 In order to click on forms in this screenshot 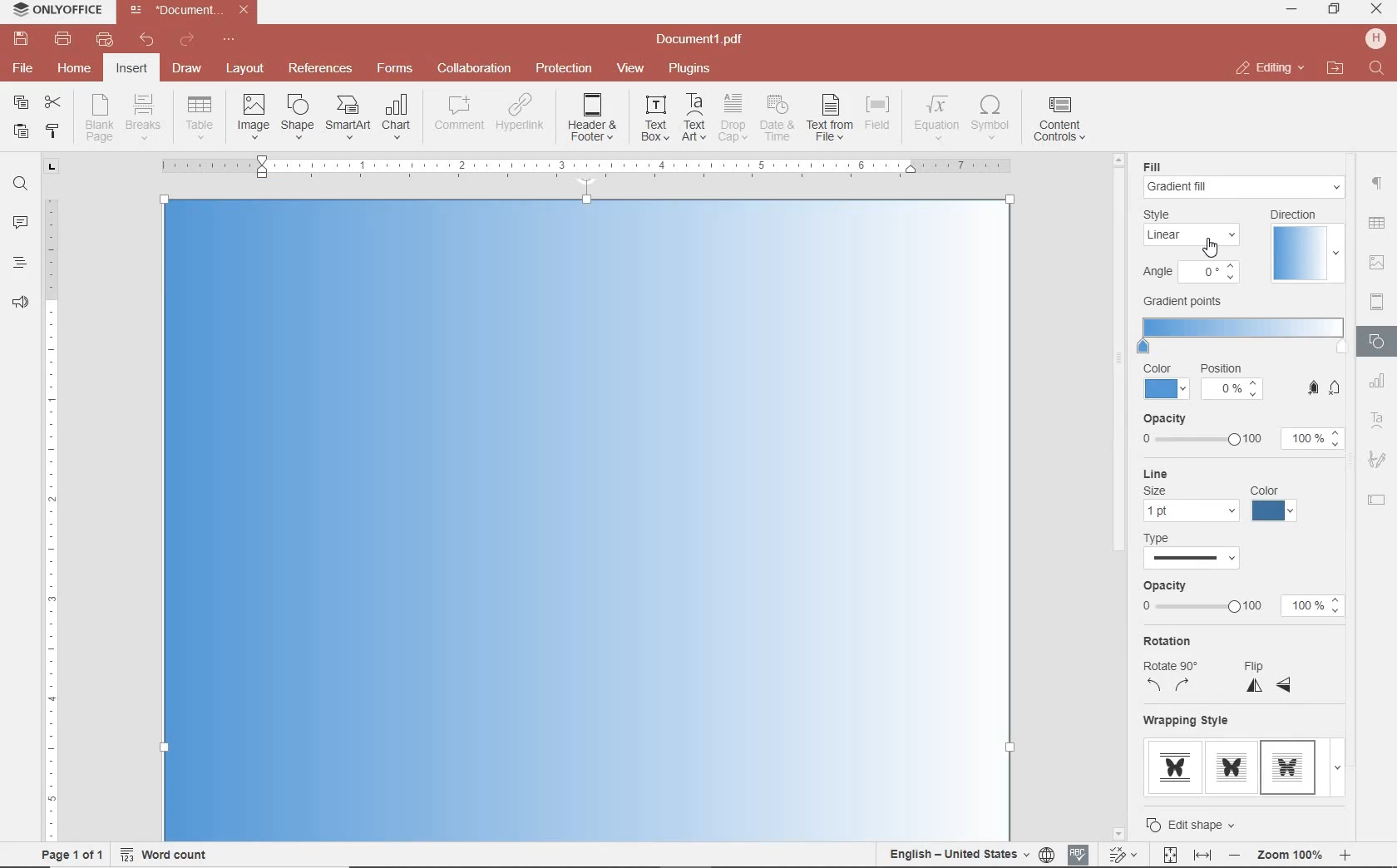, I will do `click(395, 68)`.